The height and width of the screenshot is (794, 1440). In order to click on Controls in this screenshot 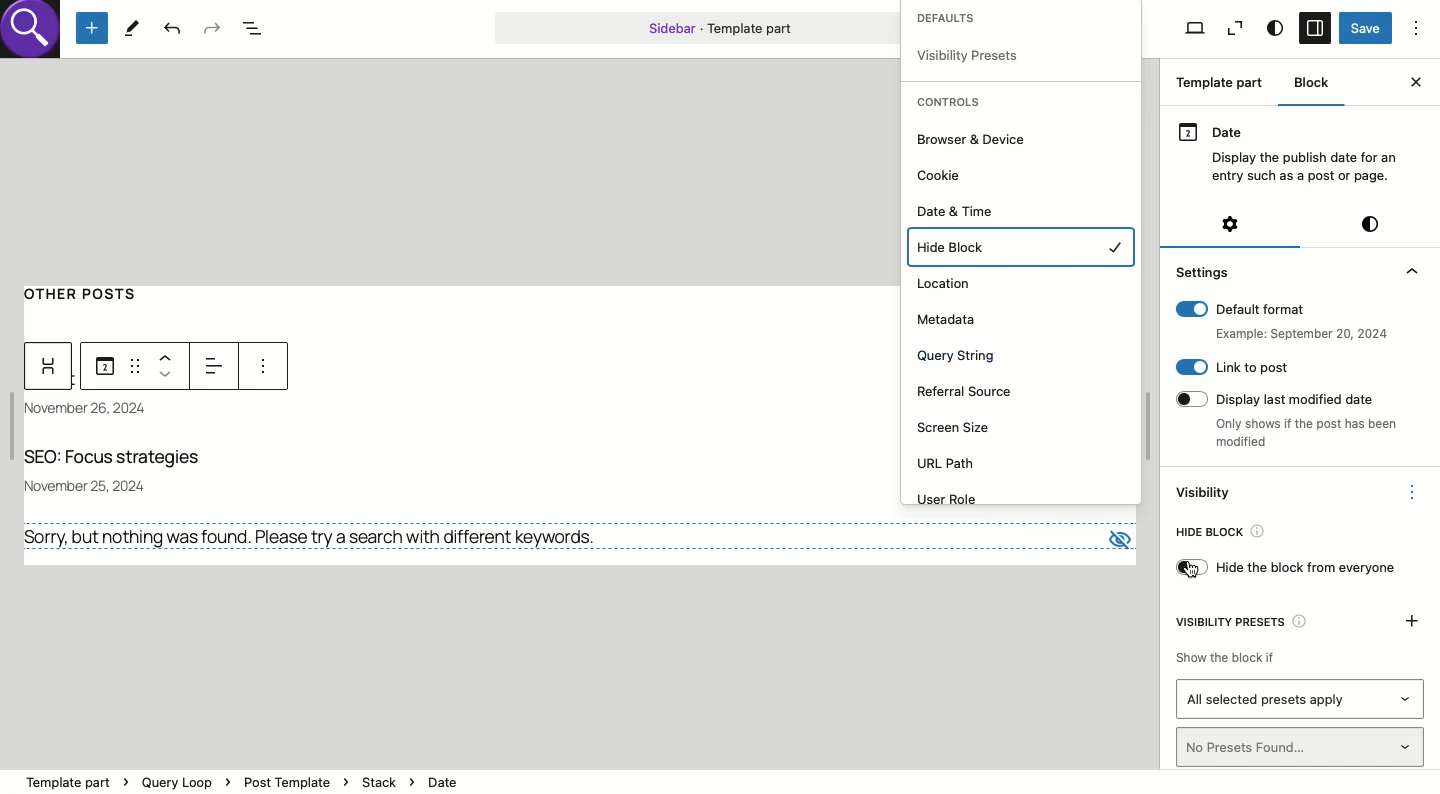, I will do `click(953, 103)`.